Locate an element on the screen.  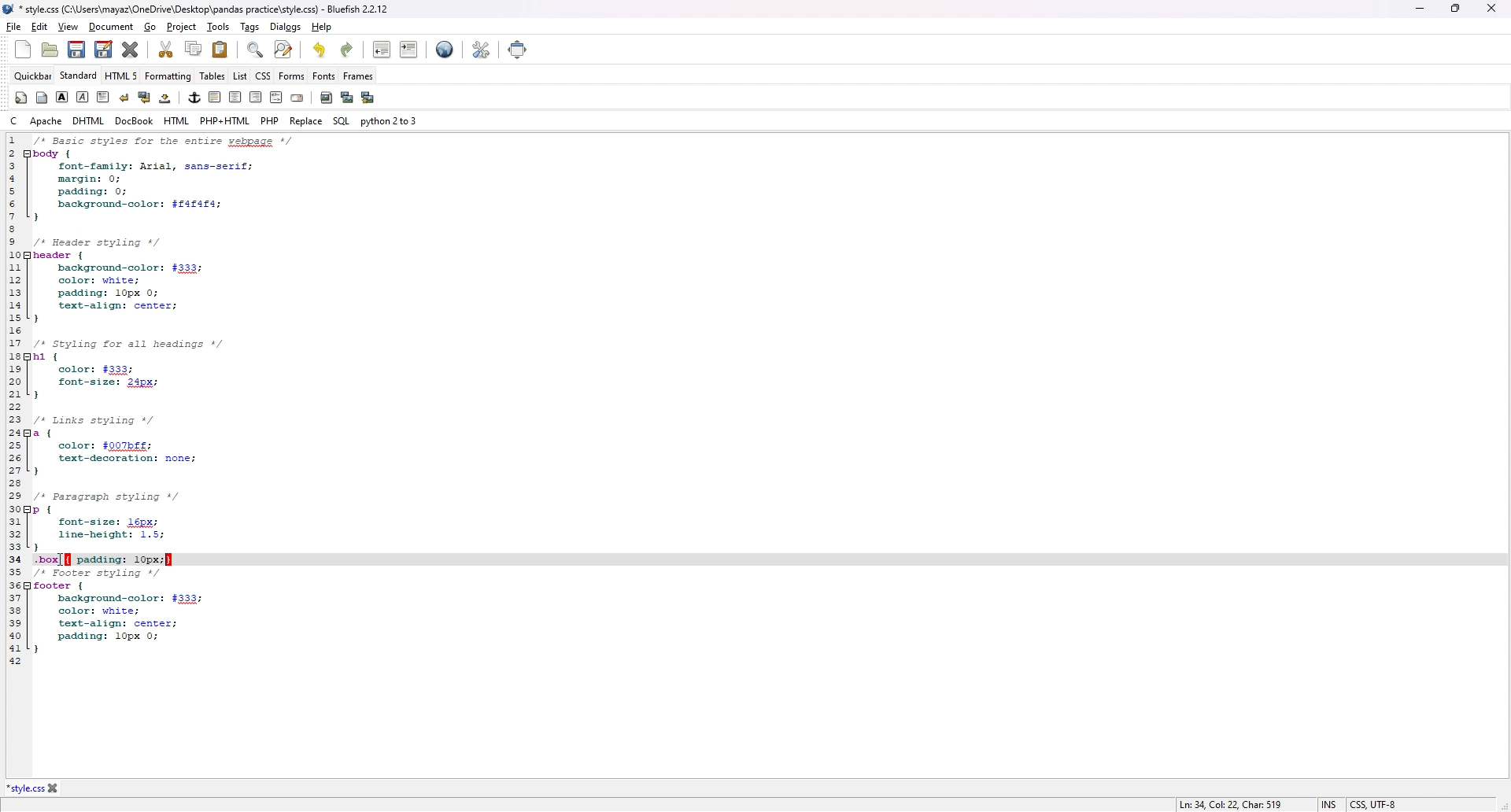
code is located at coordinates (198, 400).